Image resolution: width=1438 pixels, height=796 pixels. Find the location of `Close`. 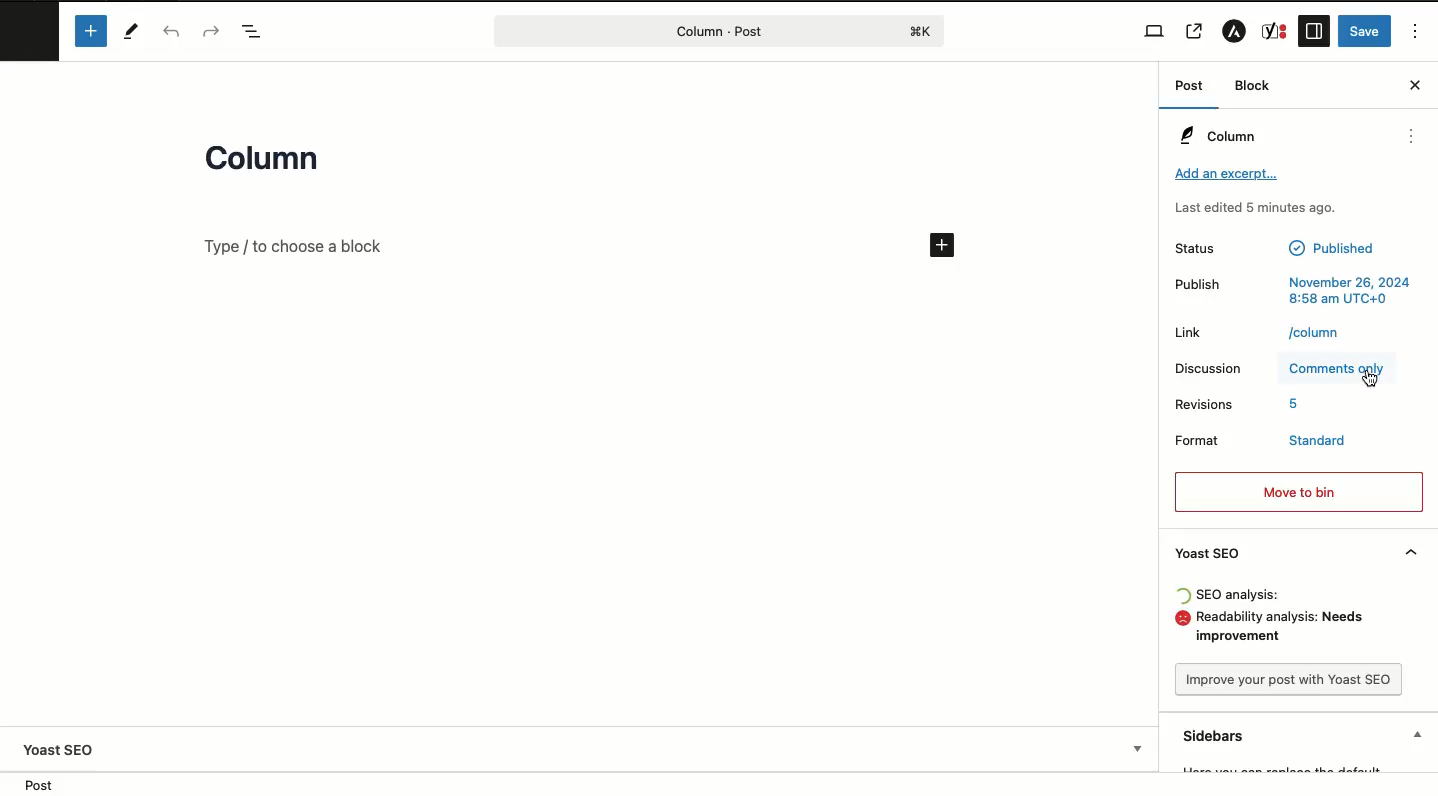

Close is located at coordinates (1415, 85).